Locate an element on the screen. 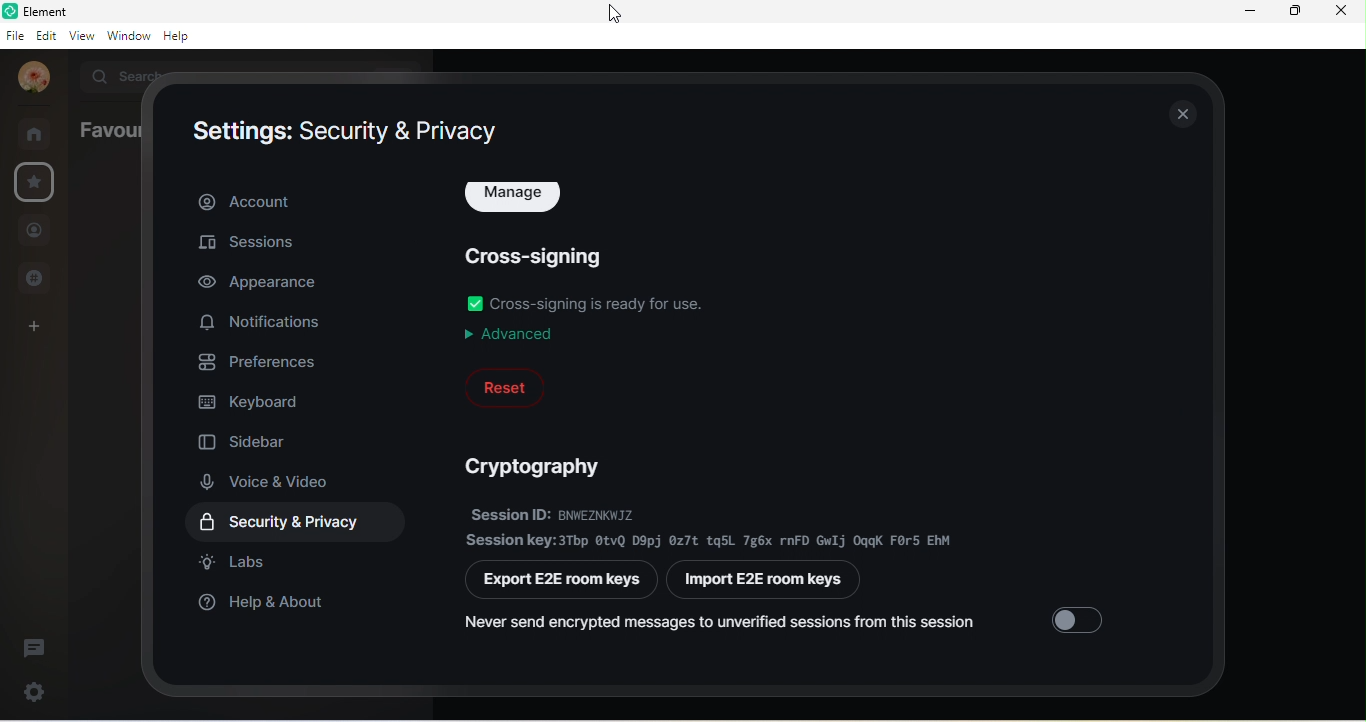 This screenshot has height=722, width=1366. preferences is located at coordinates (263, 360).